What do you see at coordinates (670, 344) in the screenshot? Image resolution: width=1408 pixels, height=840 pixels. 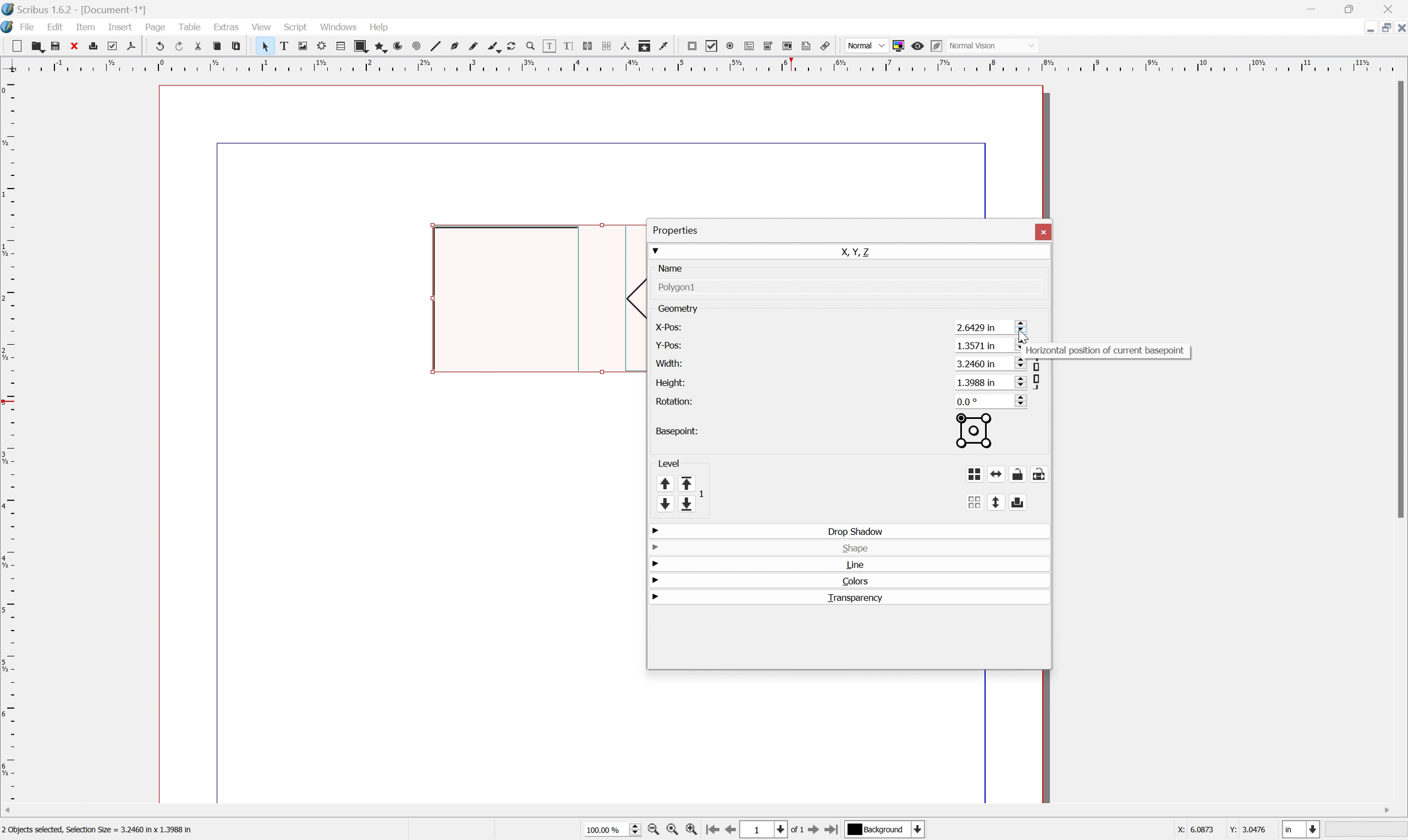 I see `y-pos:` at bounding box center [670, 344].